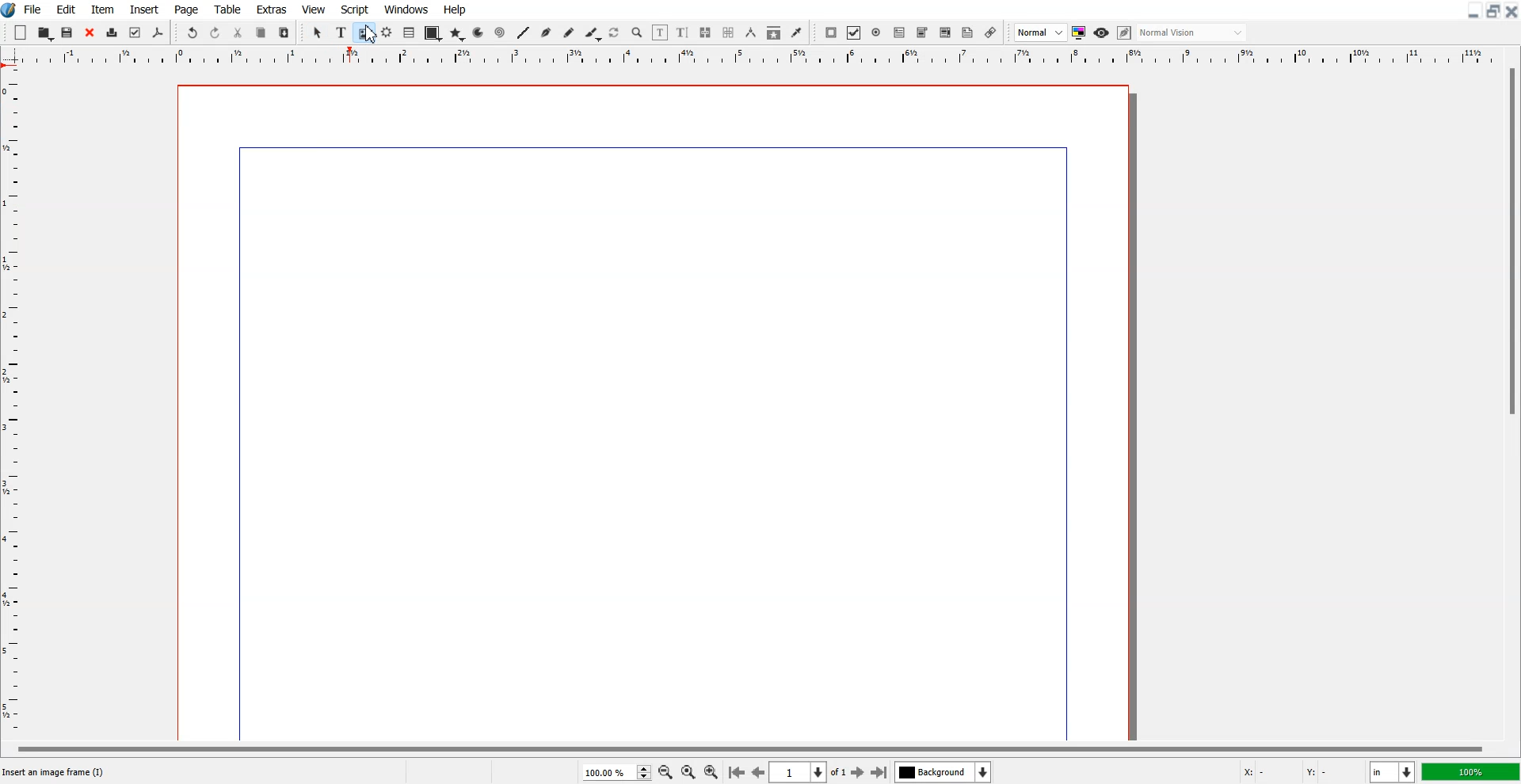  What do you see at coordinates (90, 32) in the screenshot?
I see `Close` at bounding box center [90, 32].